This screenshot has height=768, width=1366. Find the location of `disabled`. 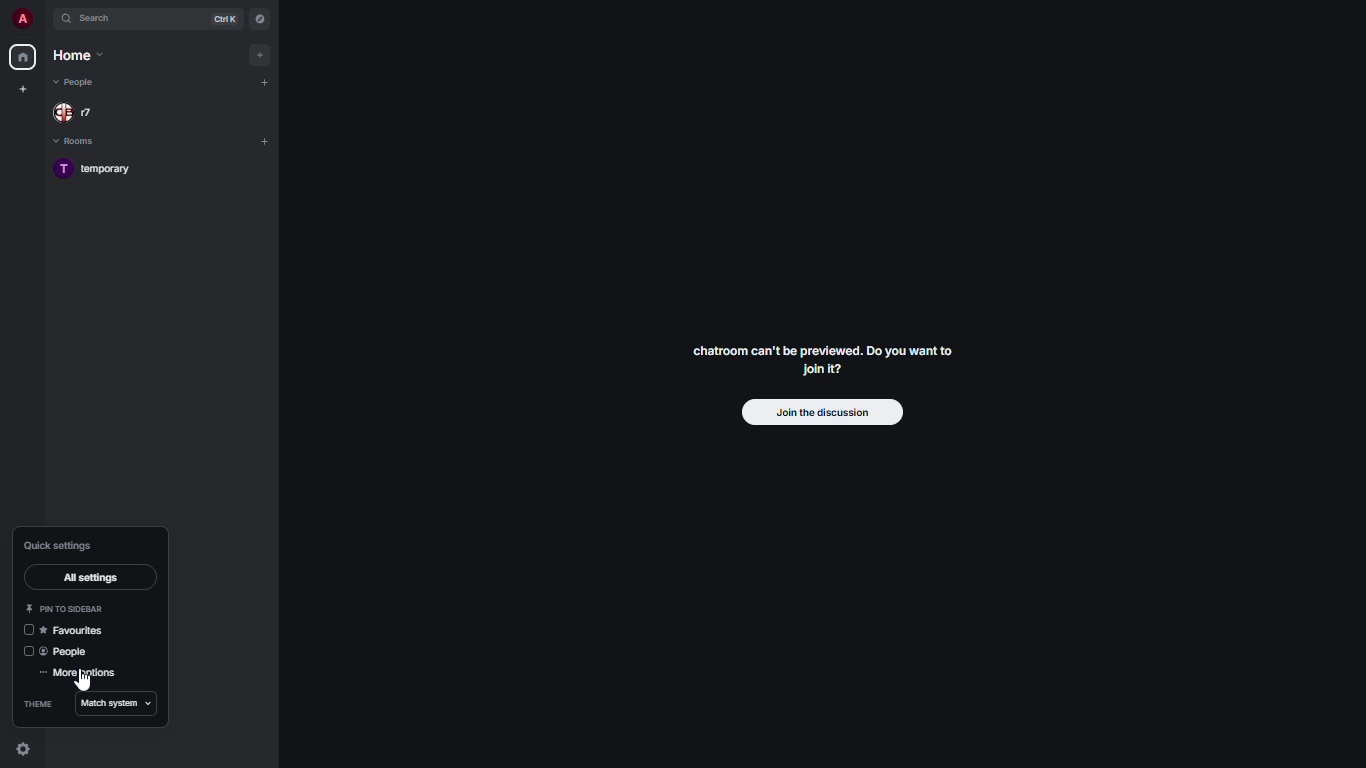

disabled is located at coordinates (24, 653).